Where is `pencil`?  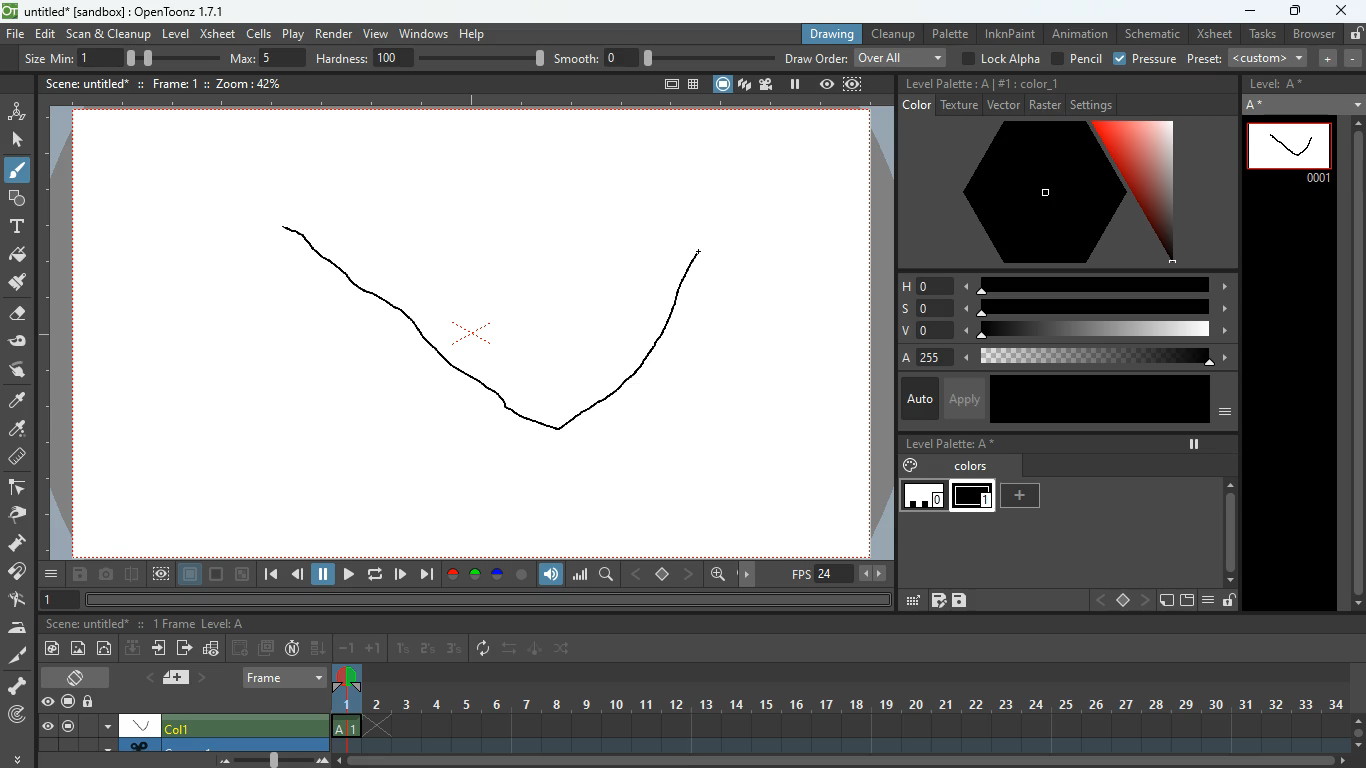
pencil is located at coordinates (1075, 59).